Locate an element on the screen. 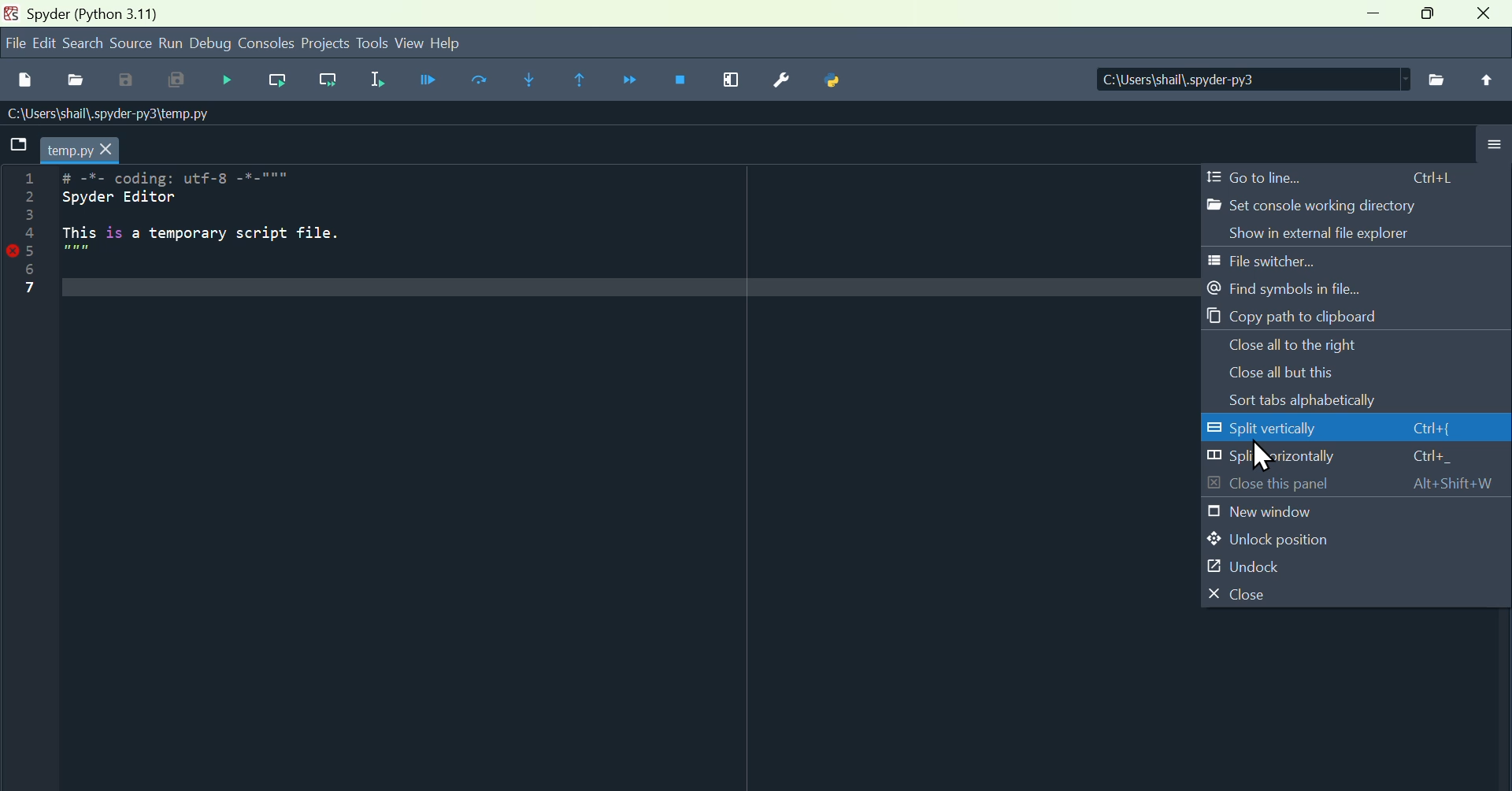  | C:\Users\shail\.spyder-py3 | is located at coordinates (1251, 79).